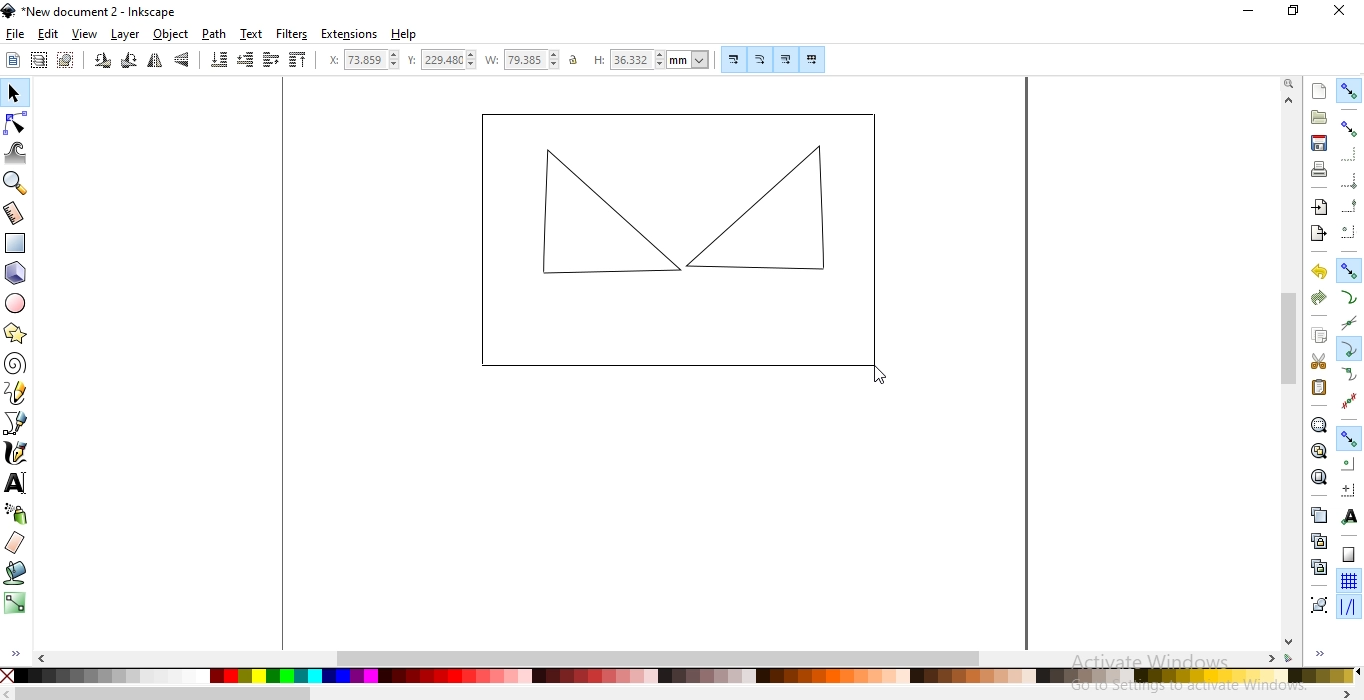 The width and height of the screenshot is (1364, 700). What do you see at coordinates (15, 126) in the screenshot?
I see `edit path by nodes` at bounding box center [15, 126].